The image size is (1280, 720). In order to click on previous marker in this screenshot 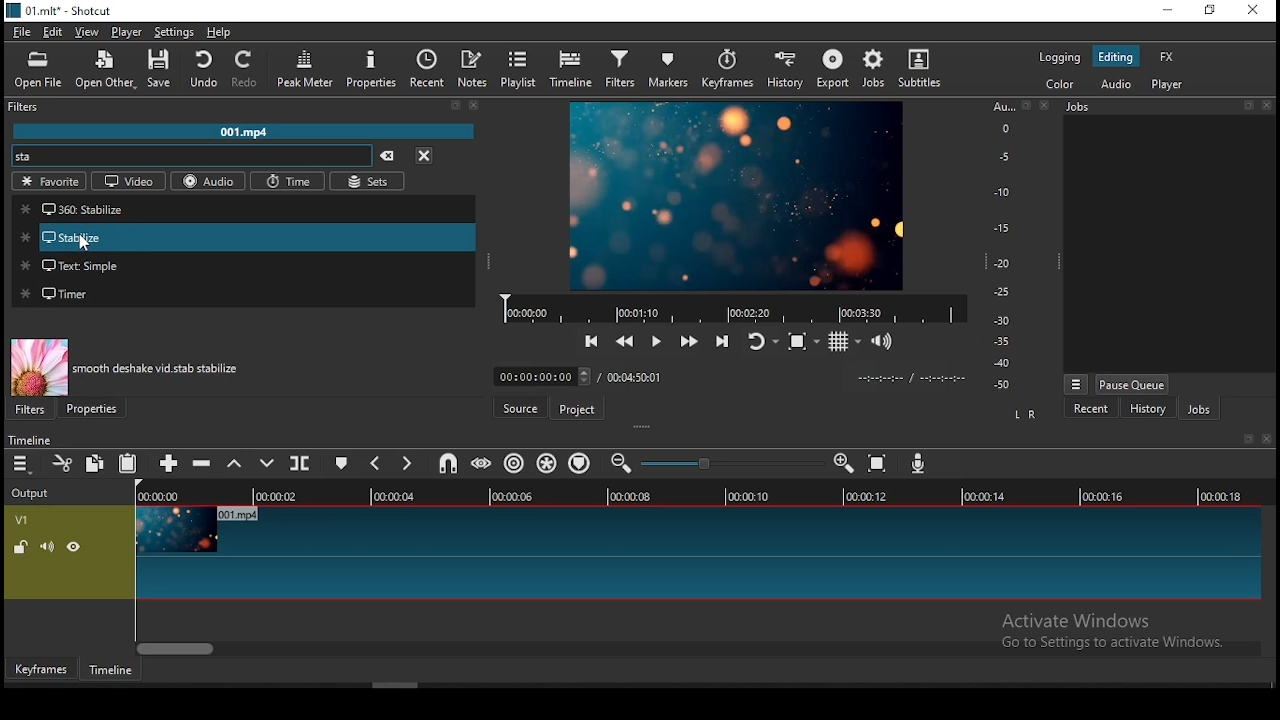, I will do `click(376, 463)`.